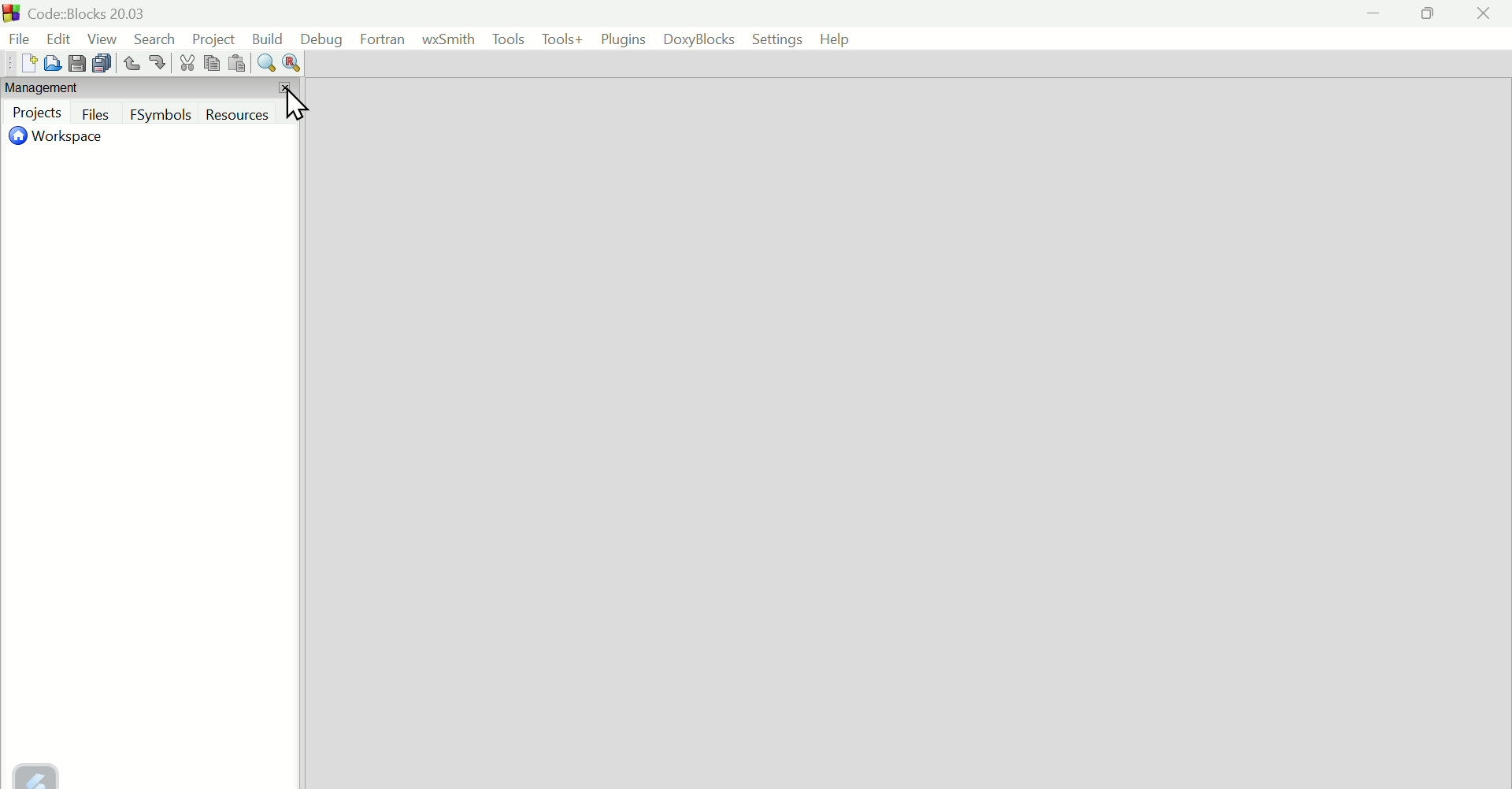 The height and width of the screenshot is (789, 1512). What do you see at coordinates (237, 114) in the screenshot?
I see `Resources` at bounding box center [237, 114].